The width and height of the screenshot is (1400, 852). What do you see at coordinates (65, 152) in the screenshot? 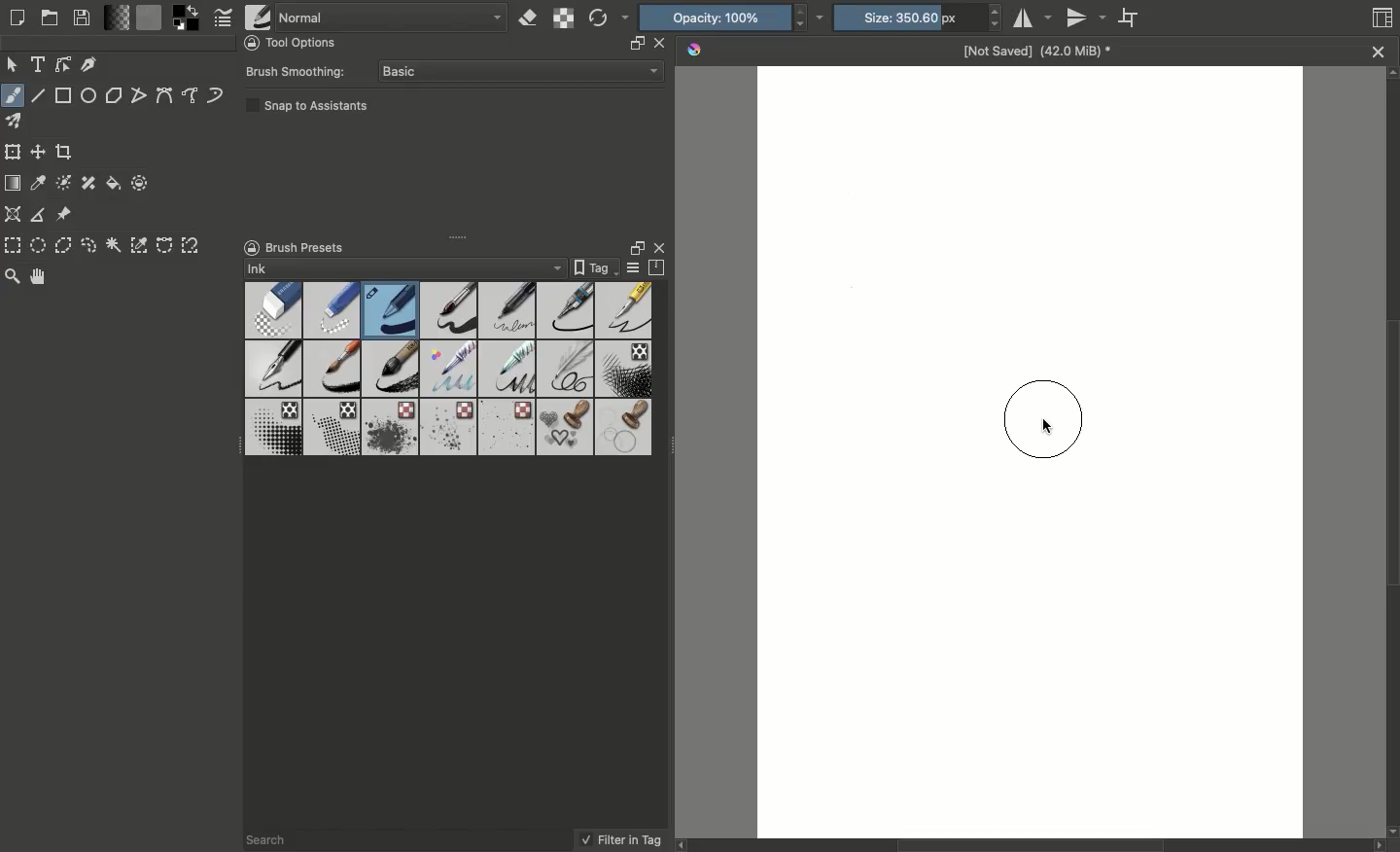
I see `Crop` at bounding box center [65, 152].